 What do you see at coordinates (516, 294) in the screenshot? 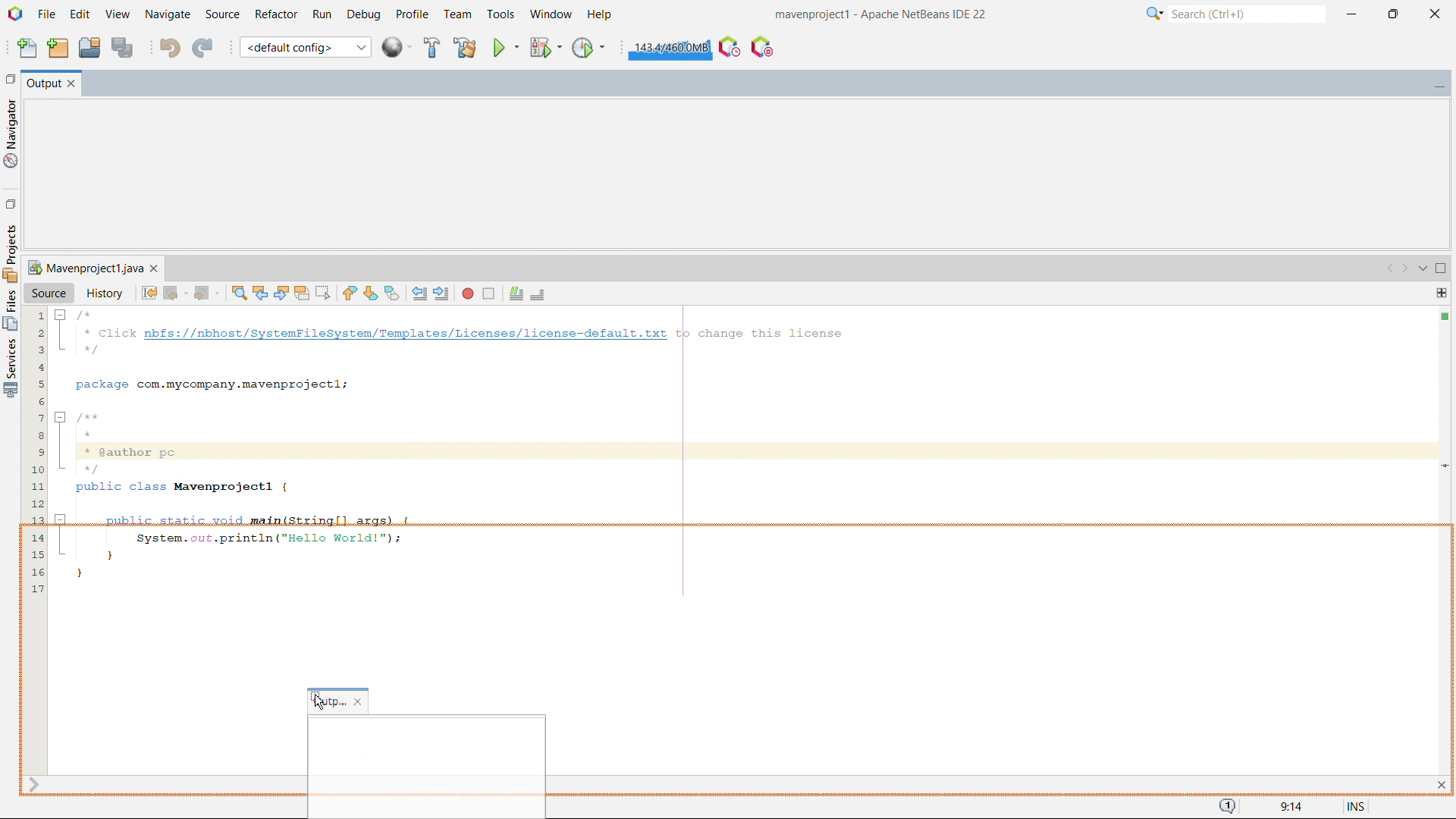
I see `comment` at bounding box center [516, 294].